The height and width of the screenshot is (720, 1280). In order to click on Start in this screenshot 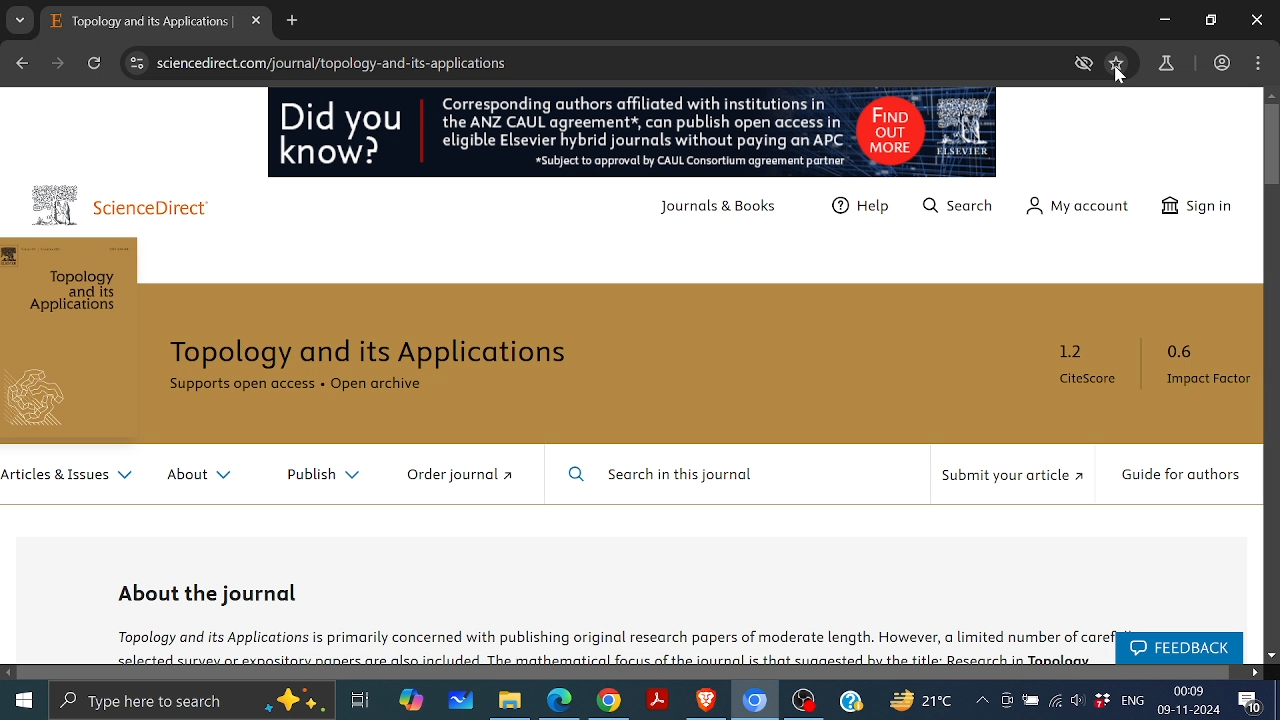, I will do `click(25, 699)`.